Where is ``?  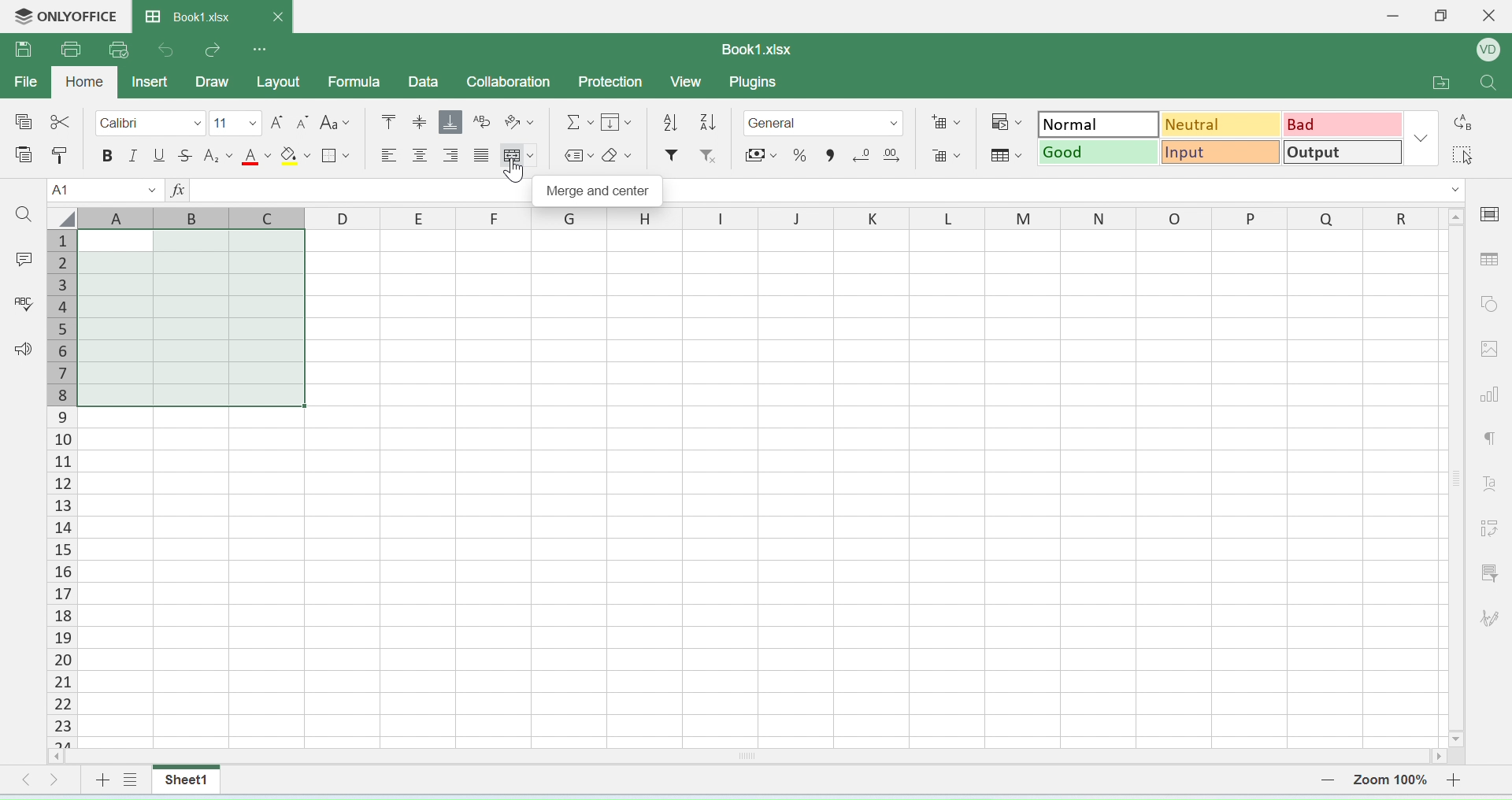  is located at coordinates (761, 156).